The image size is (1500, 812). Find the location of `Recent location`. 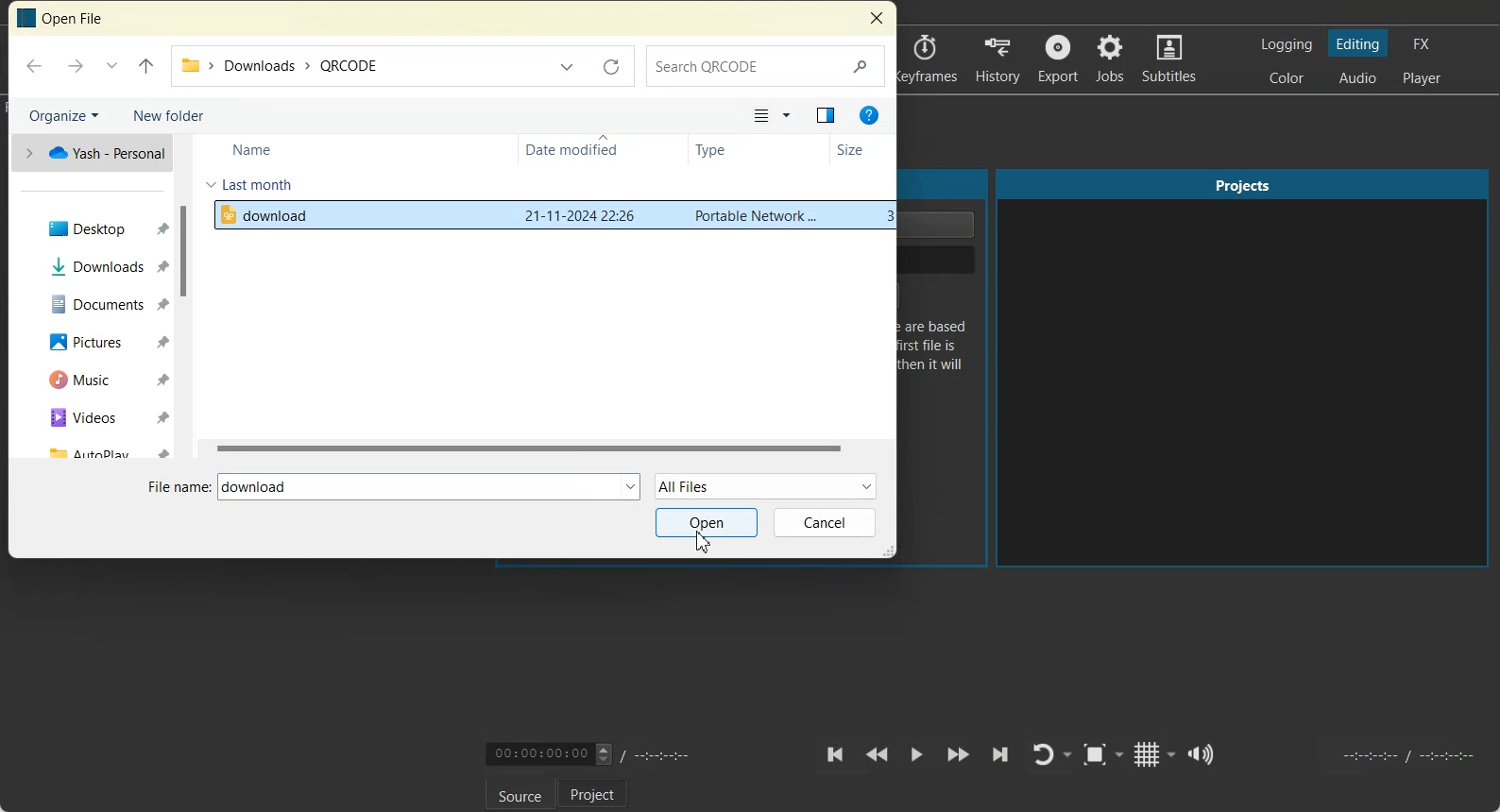

Recent location is located at coordinates (111, 66).